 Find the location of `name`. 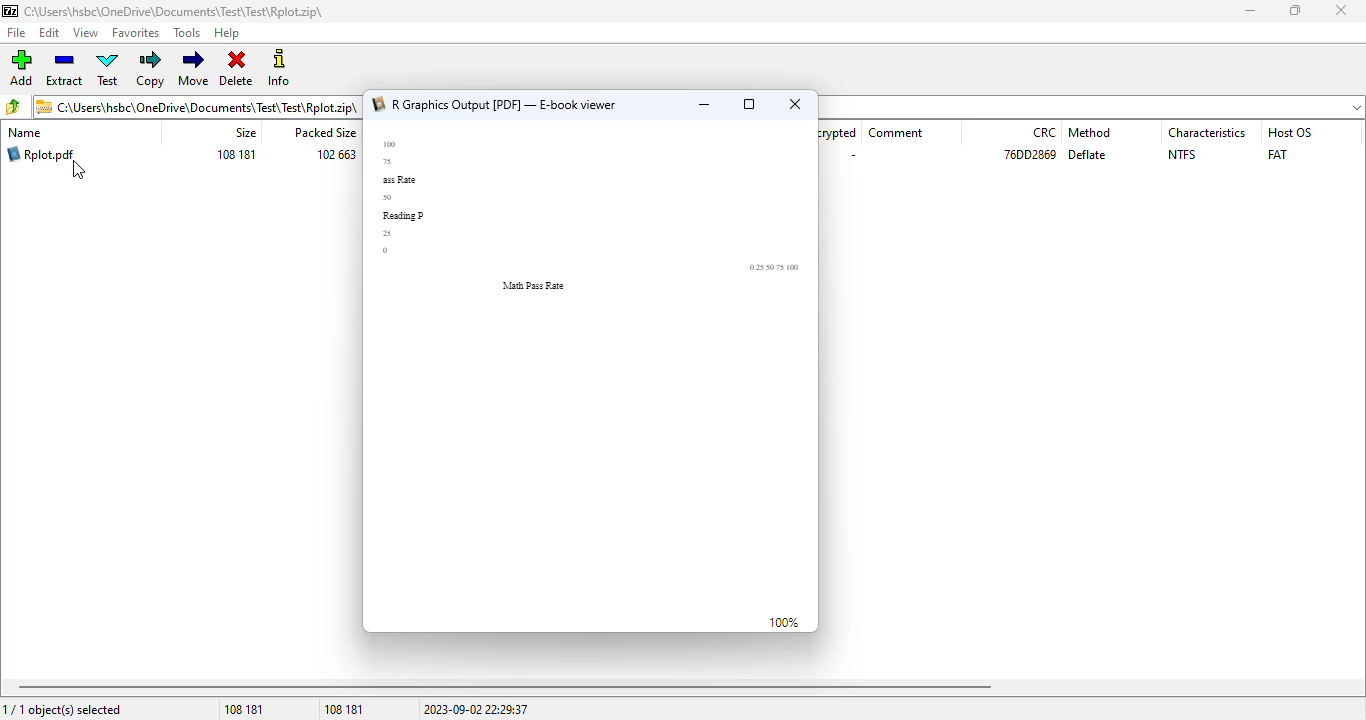

name is located at coordinates (24, 133).